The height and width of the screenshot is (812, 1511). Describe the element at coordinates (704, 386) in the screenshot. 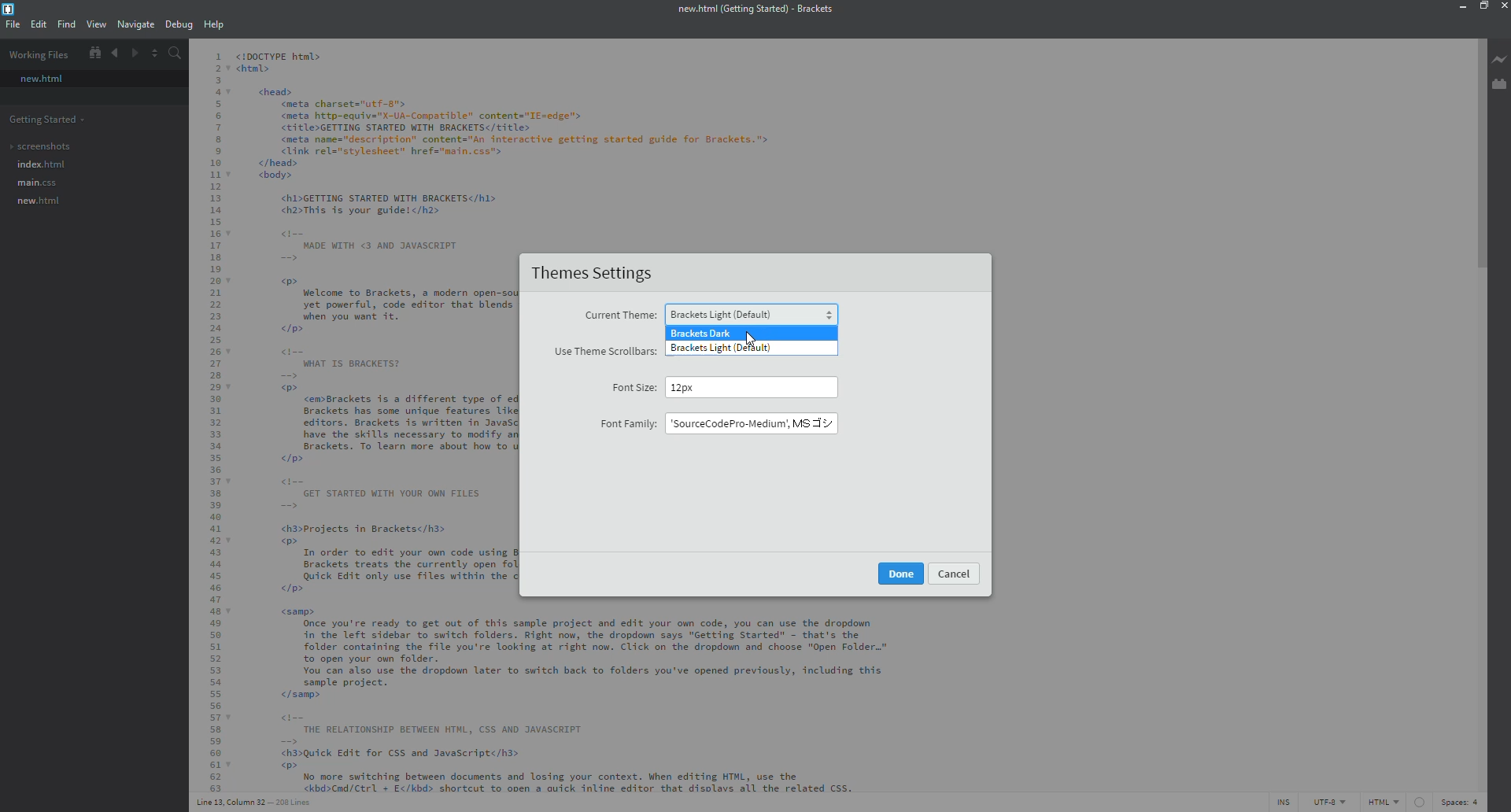

I see `size` at that location.